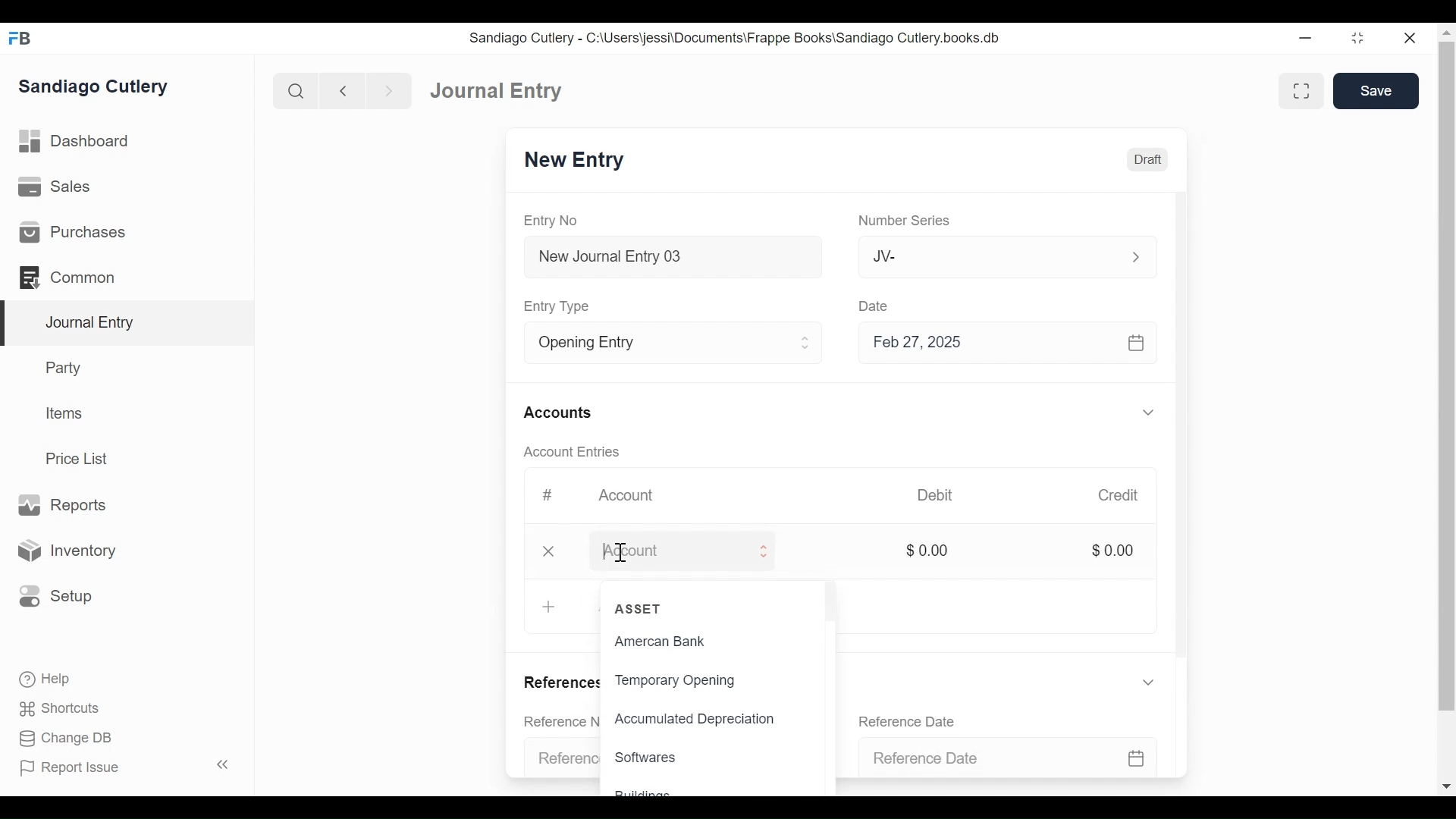 The width and height of the screenshot is (1456, 819). I want to click on Draft, so click(1151, 158).